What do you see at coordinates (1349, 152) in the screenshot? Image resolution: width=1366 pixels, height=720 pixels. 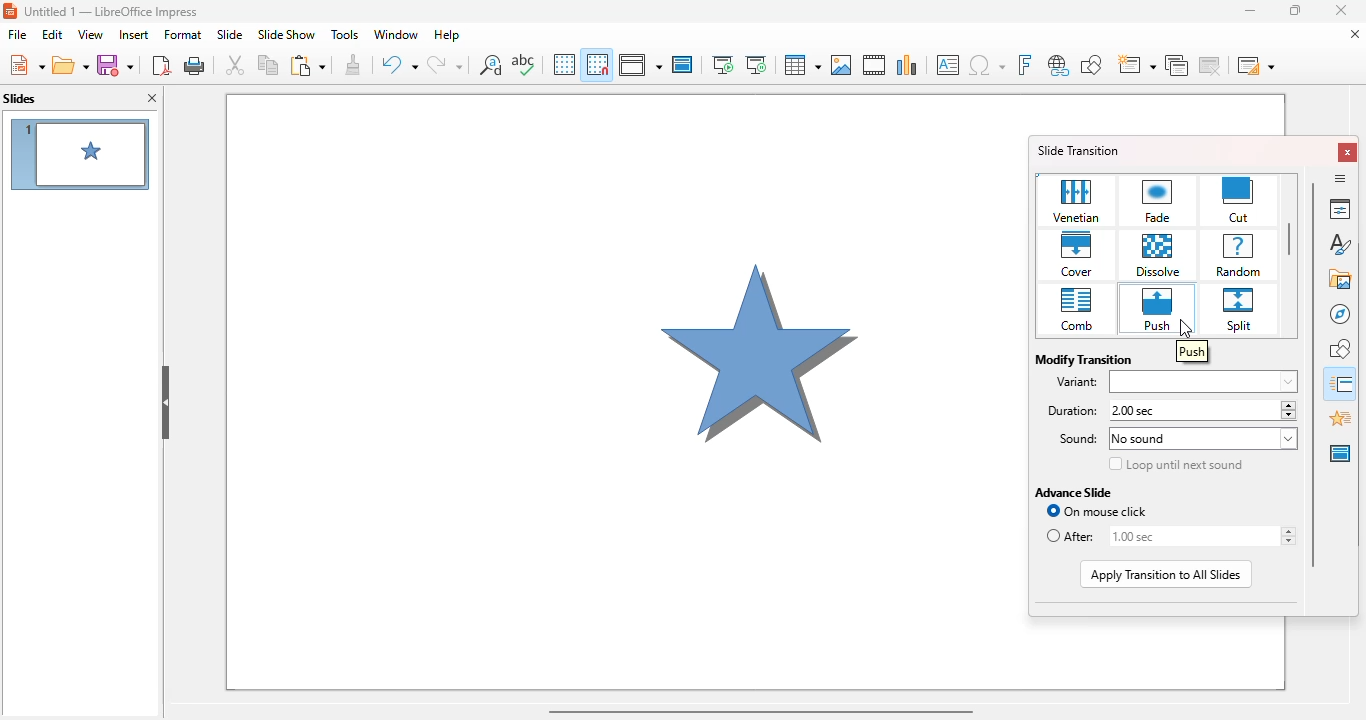 I see `close` at bounding box center [1349, 152].